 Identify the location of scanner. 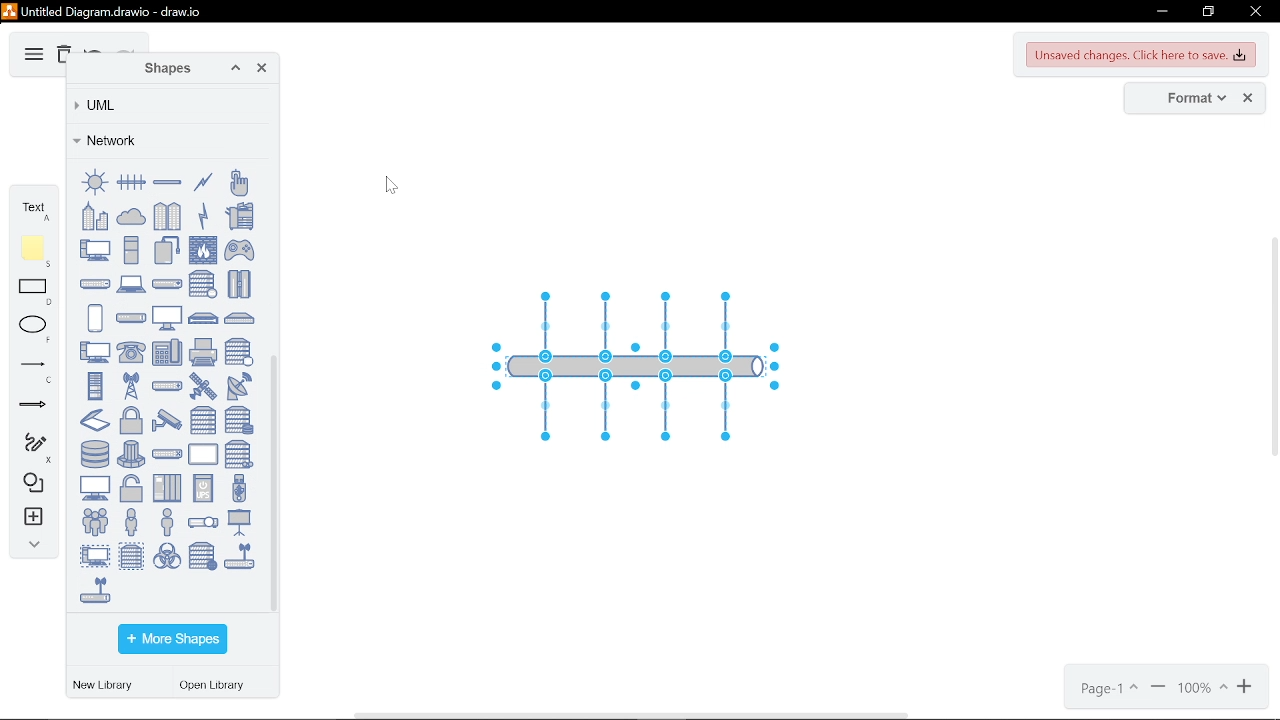
(95, 420).